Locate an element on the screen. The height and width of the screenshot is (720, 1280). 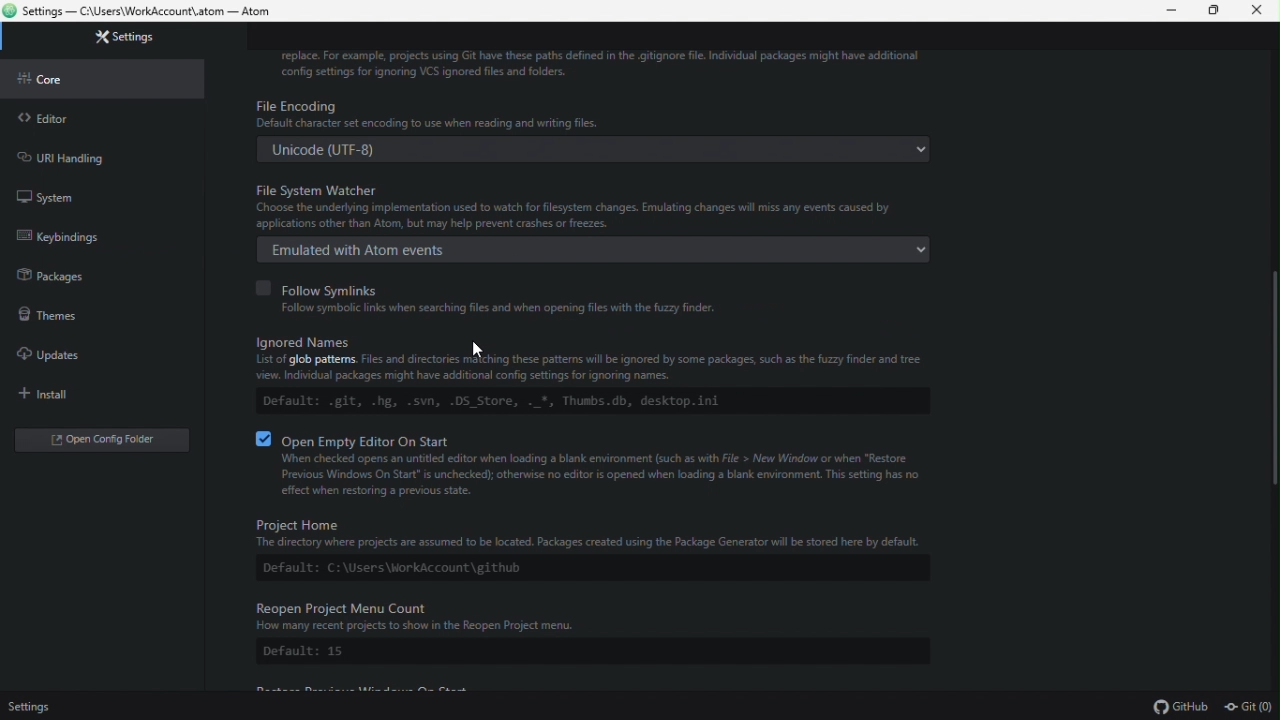
scroll bar is located at coordinates (1272, 382).